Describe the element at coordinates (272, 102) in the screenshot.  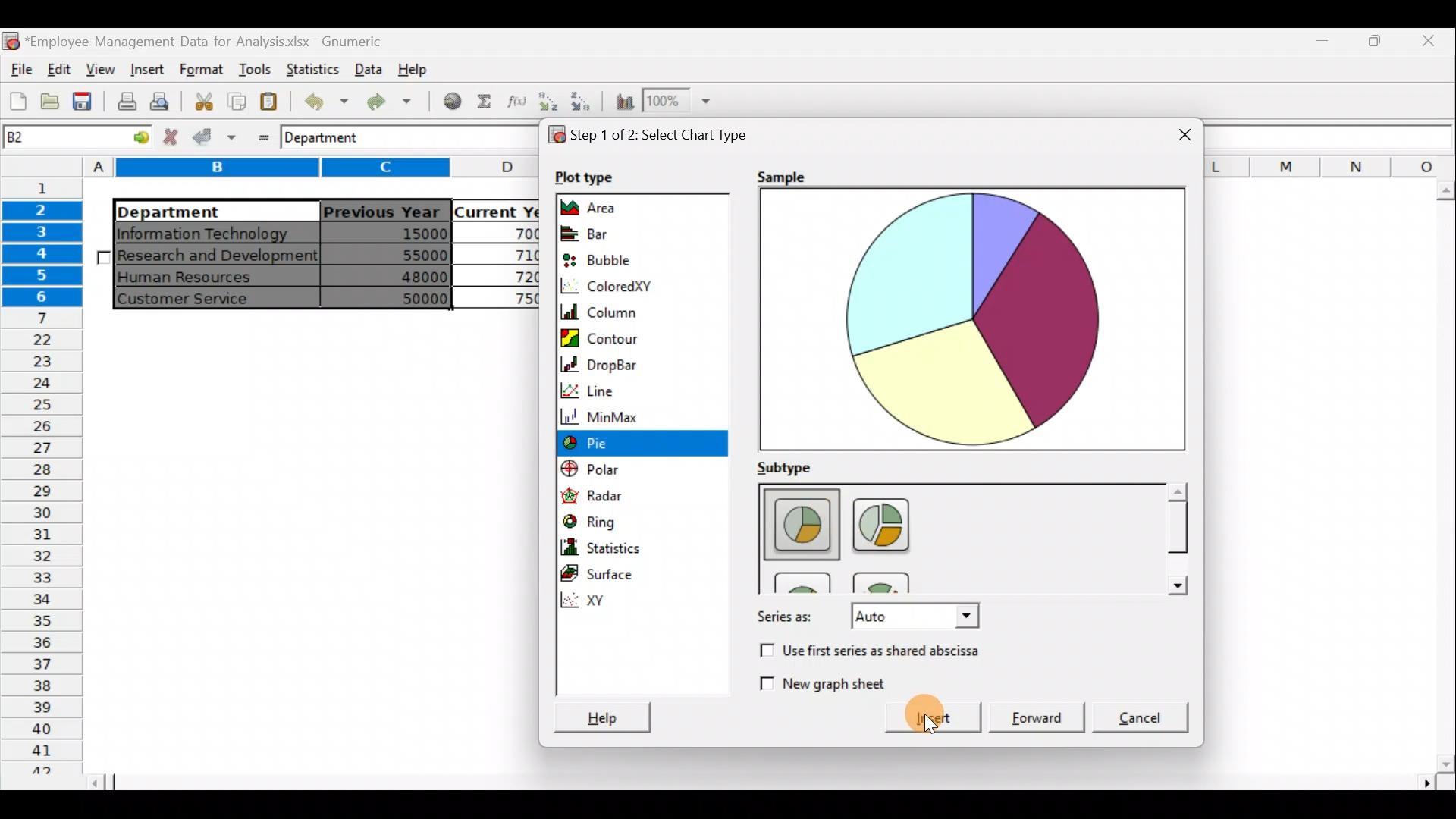
I see `Paste the clipboard` at that location.